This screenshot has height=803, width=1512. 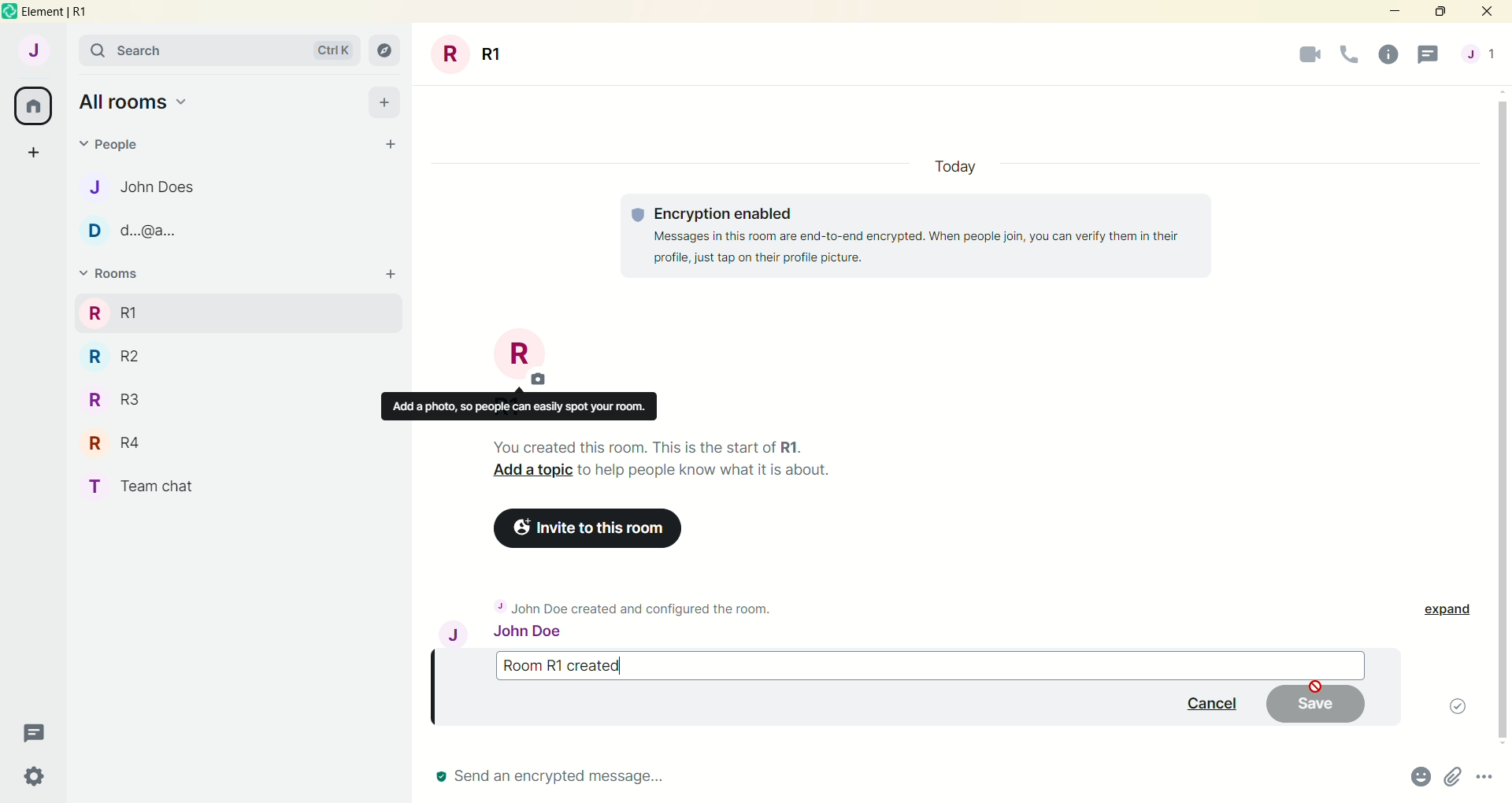 What do you see at coordinates (9, 13) in the screenshot?
I see `logo` at bounding box center [9, 13].